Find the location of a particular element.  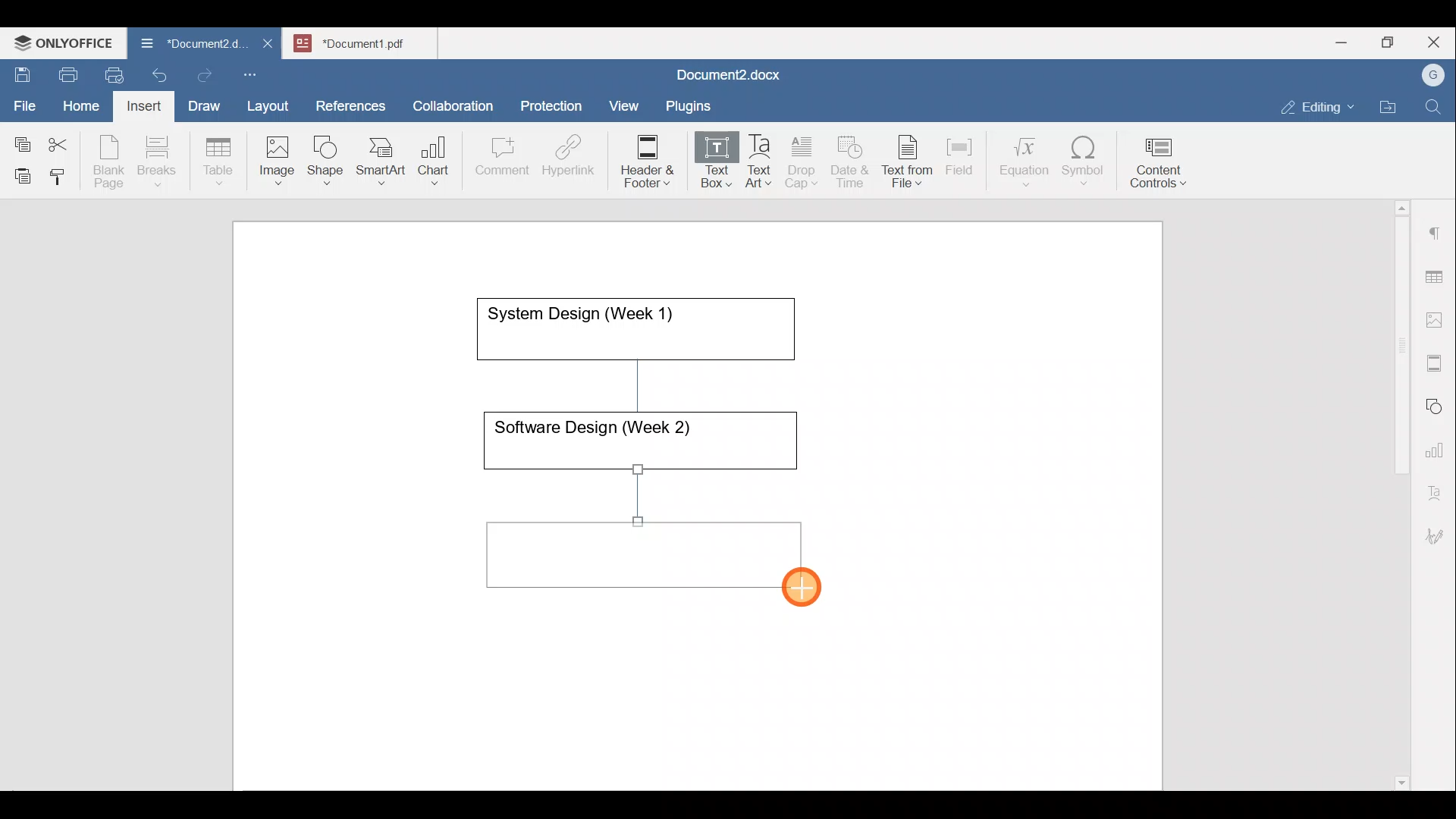

Find is located at coordinates (1435, 108).